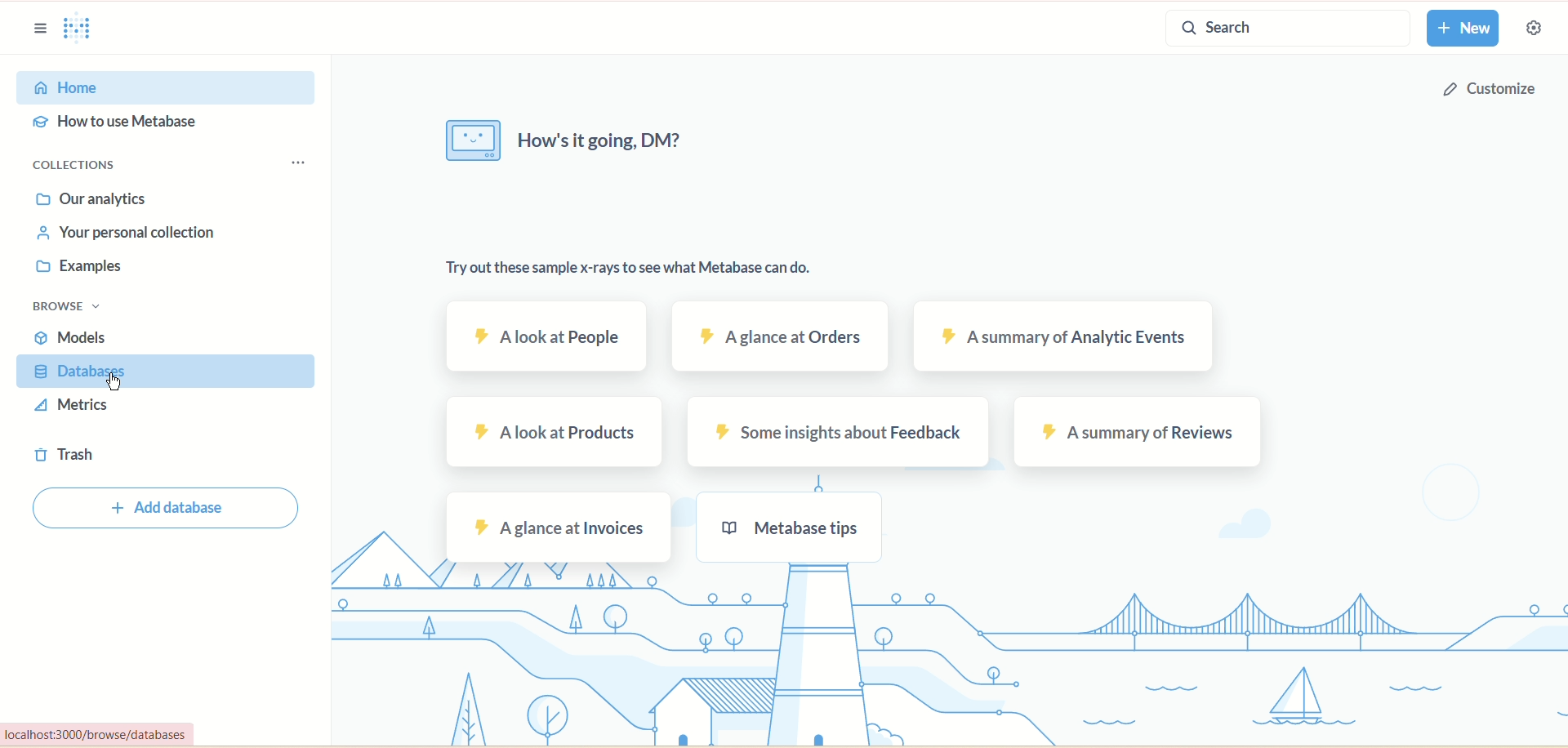 This screenshot has width=1568, height=748. What do you see at coordinates (618, 149) in the screenshot?
I see `how's it going, DM?` at bounding box center [618, 149].